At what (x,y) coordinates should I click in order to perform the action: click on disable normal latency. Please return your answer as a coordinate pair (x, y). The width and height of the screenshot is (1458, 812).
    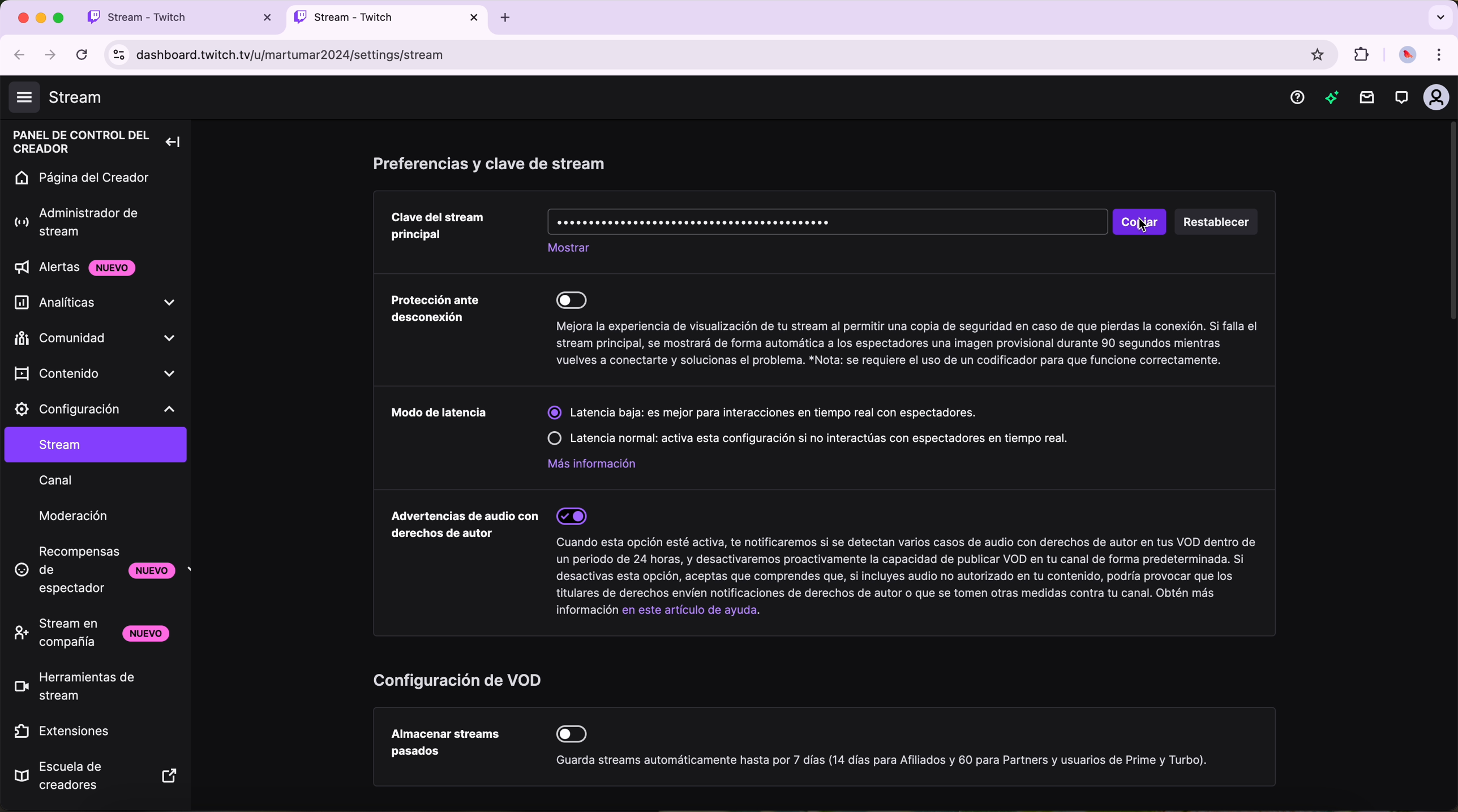
    Looking at the image, I should click on (808, 441).